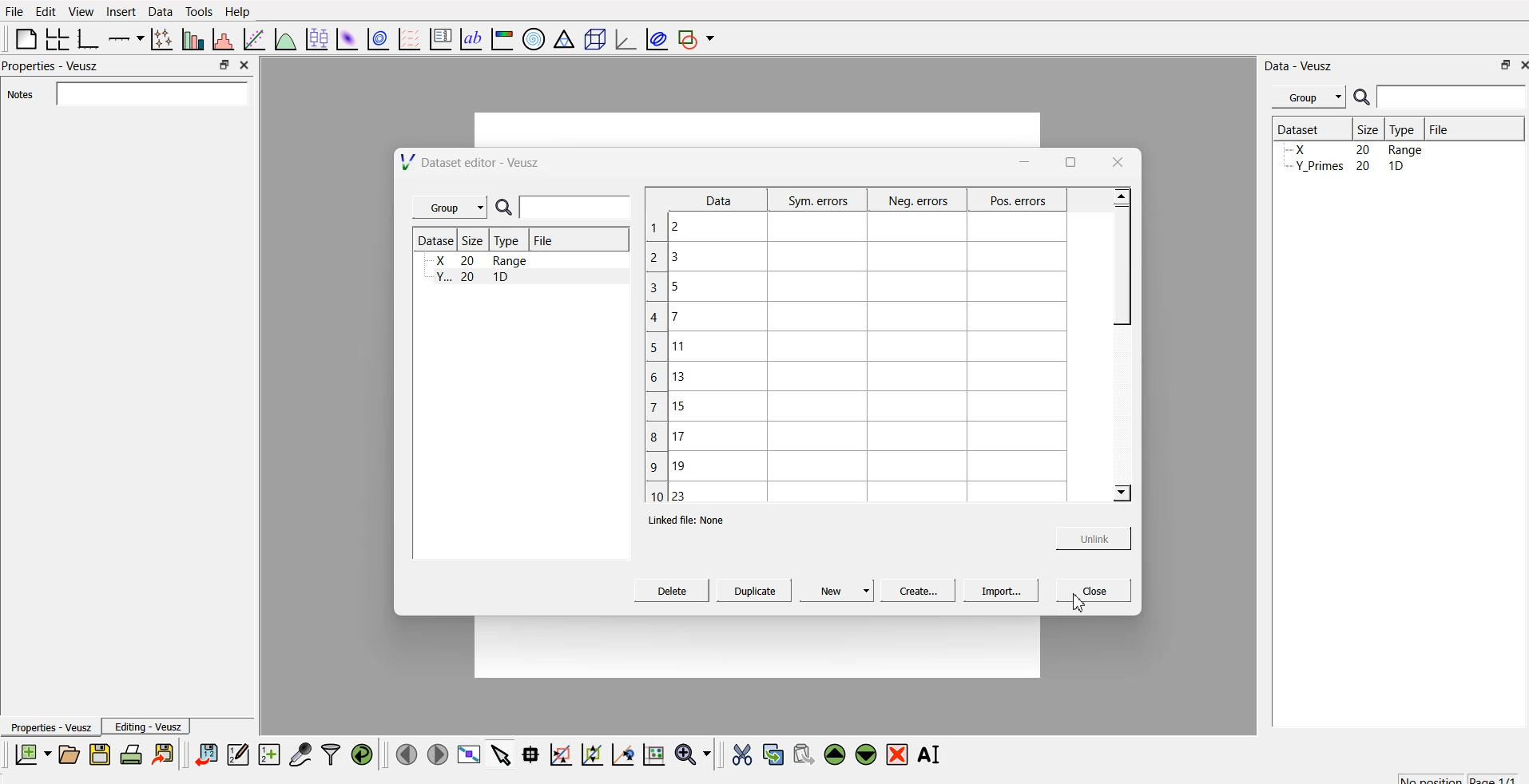  I want to click on print document, so click(133, 755).